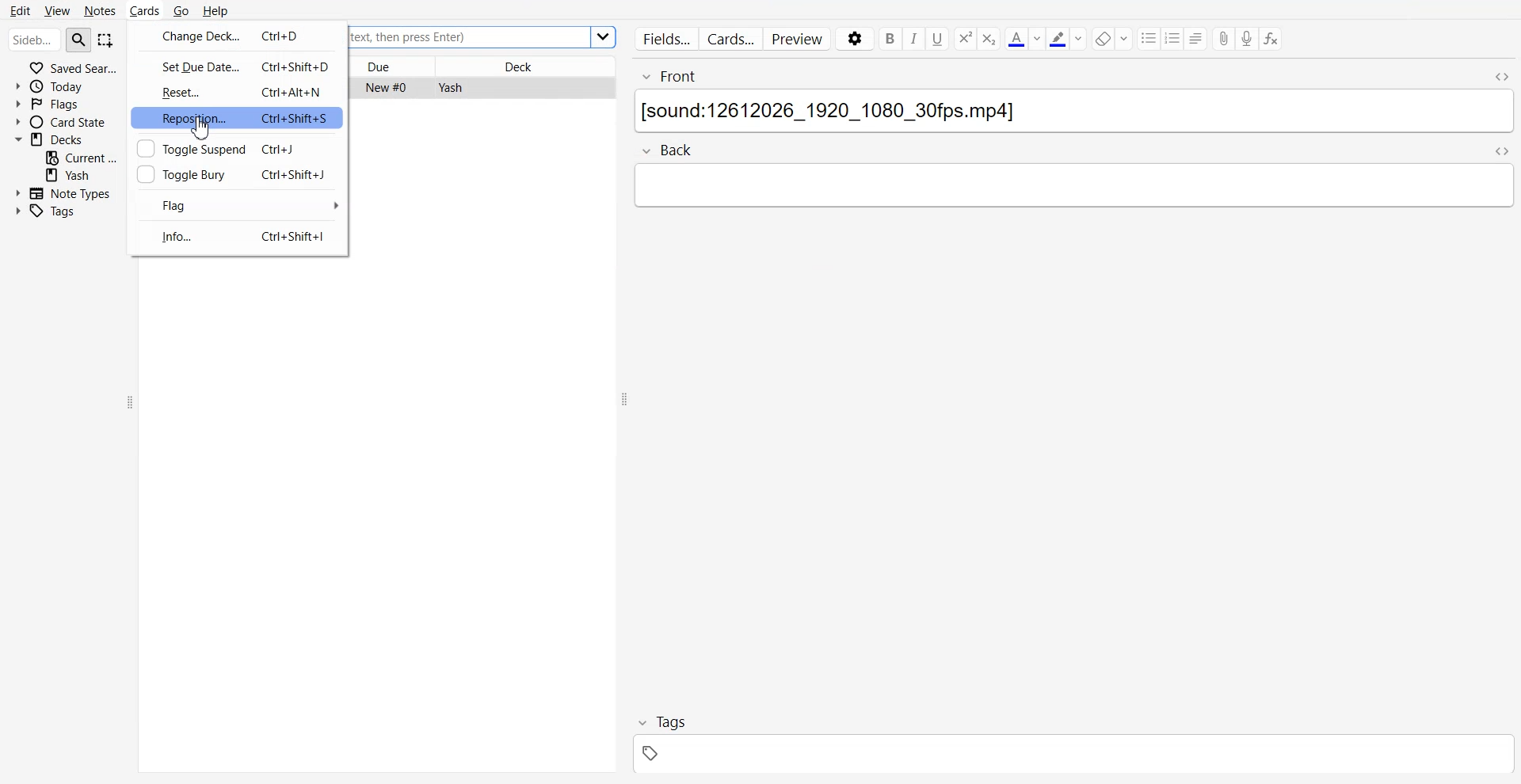 This screenshot has width=1521, height=784. I want to click on type, so click(1073, 184).